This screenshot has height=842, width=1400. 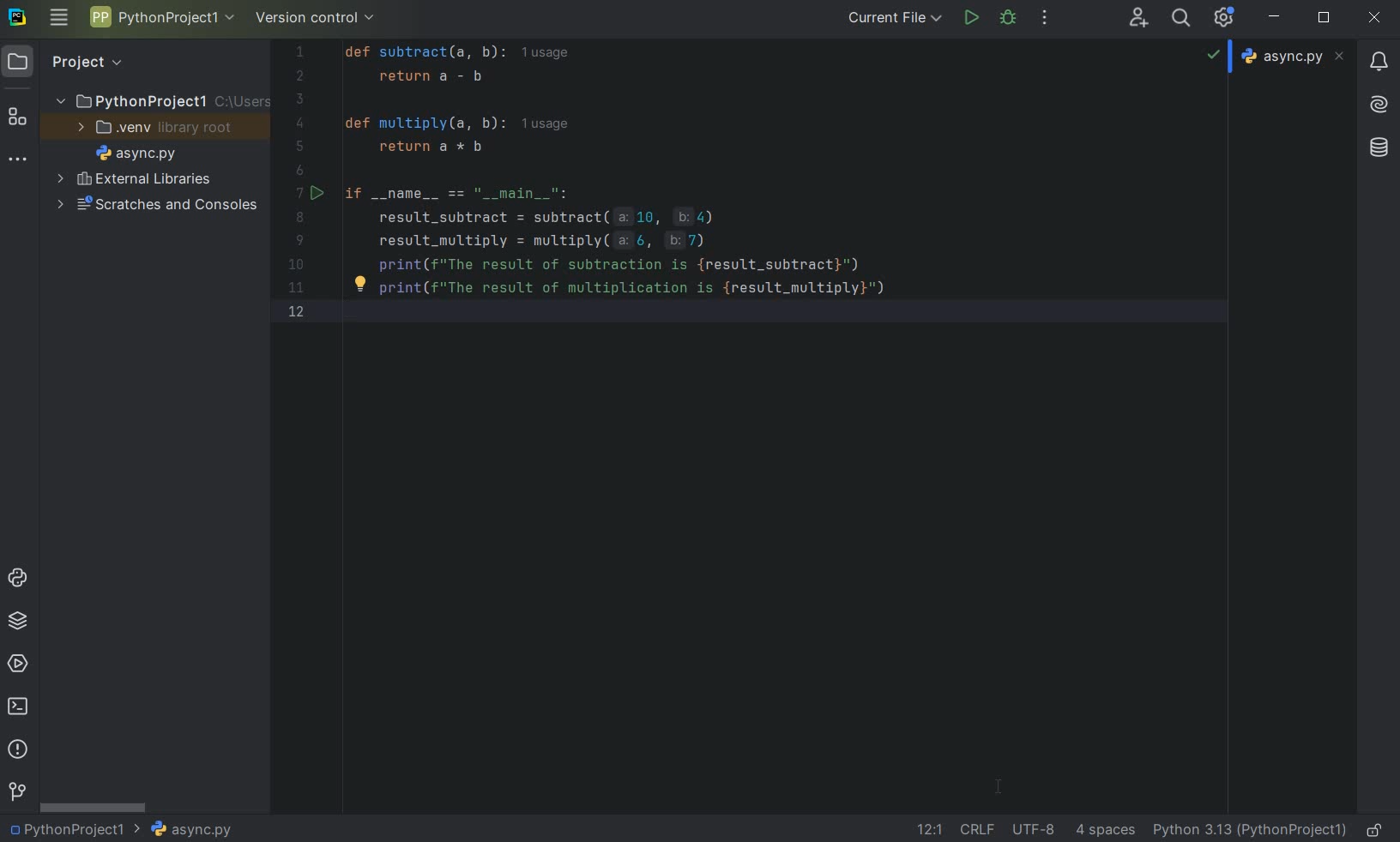 I want to click on codes, so click(x=752, y=178).